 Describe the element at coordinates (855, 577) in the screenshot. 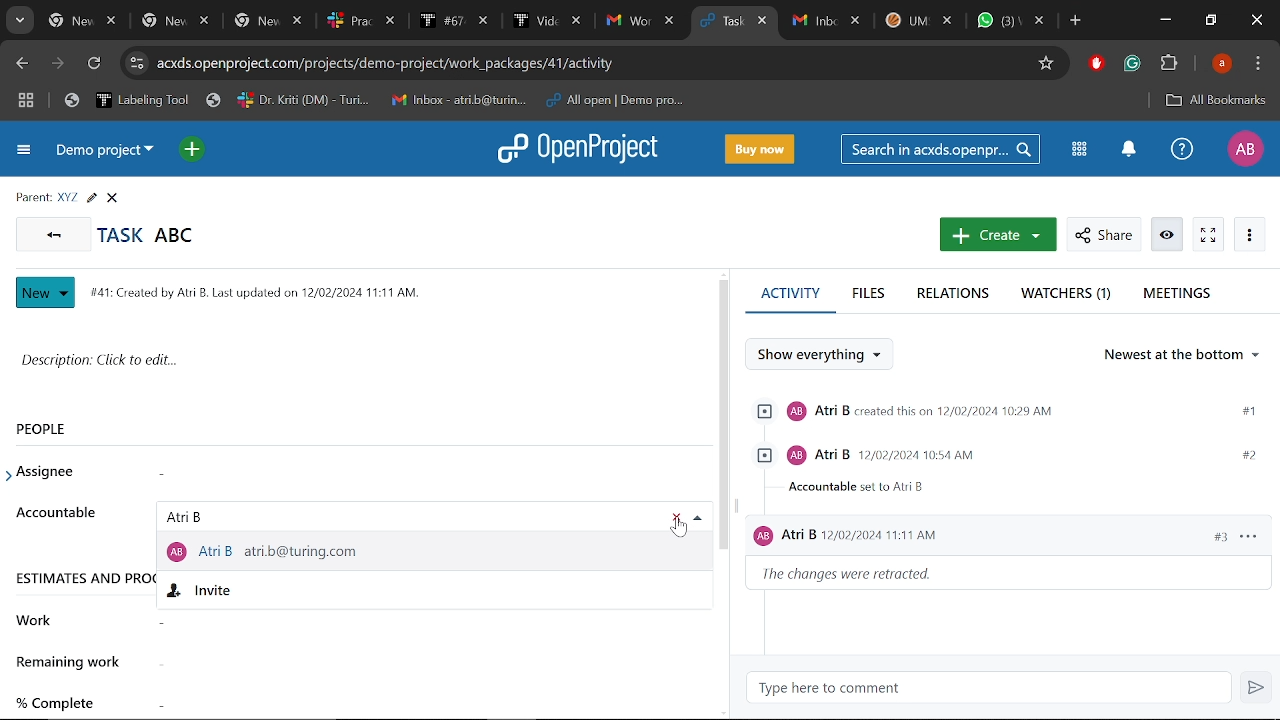

I see `the changes were retracted.` at that location.